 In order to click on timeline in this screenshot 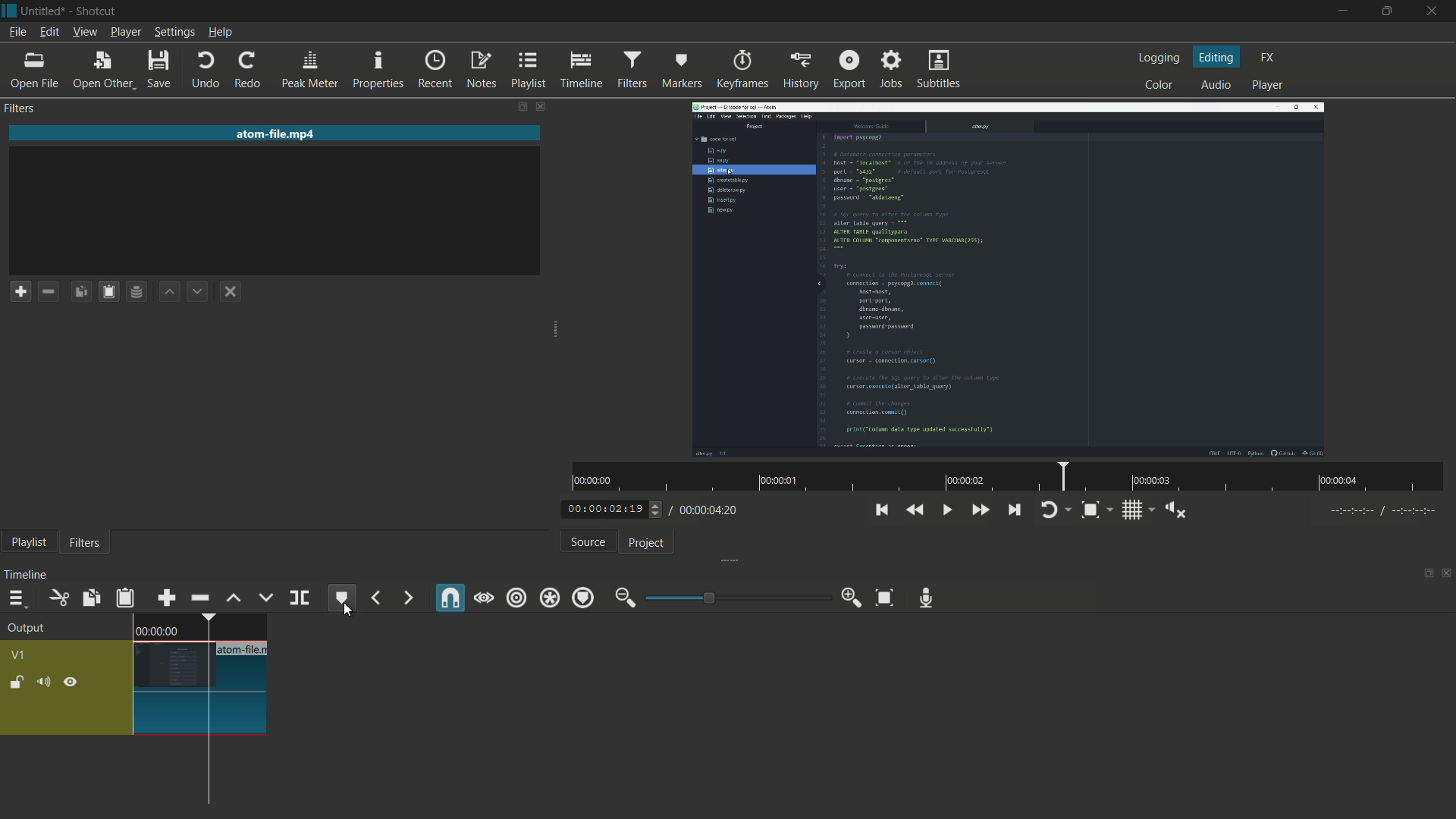, I will do `click(579, 70)`.